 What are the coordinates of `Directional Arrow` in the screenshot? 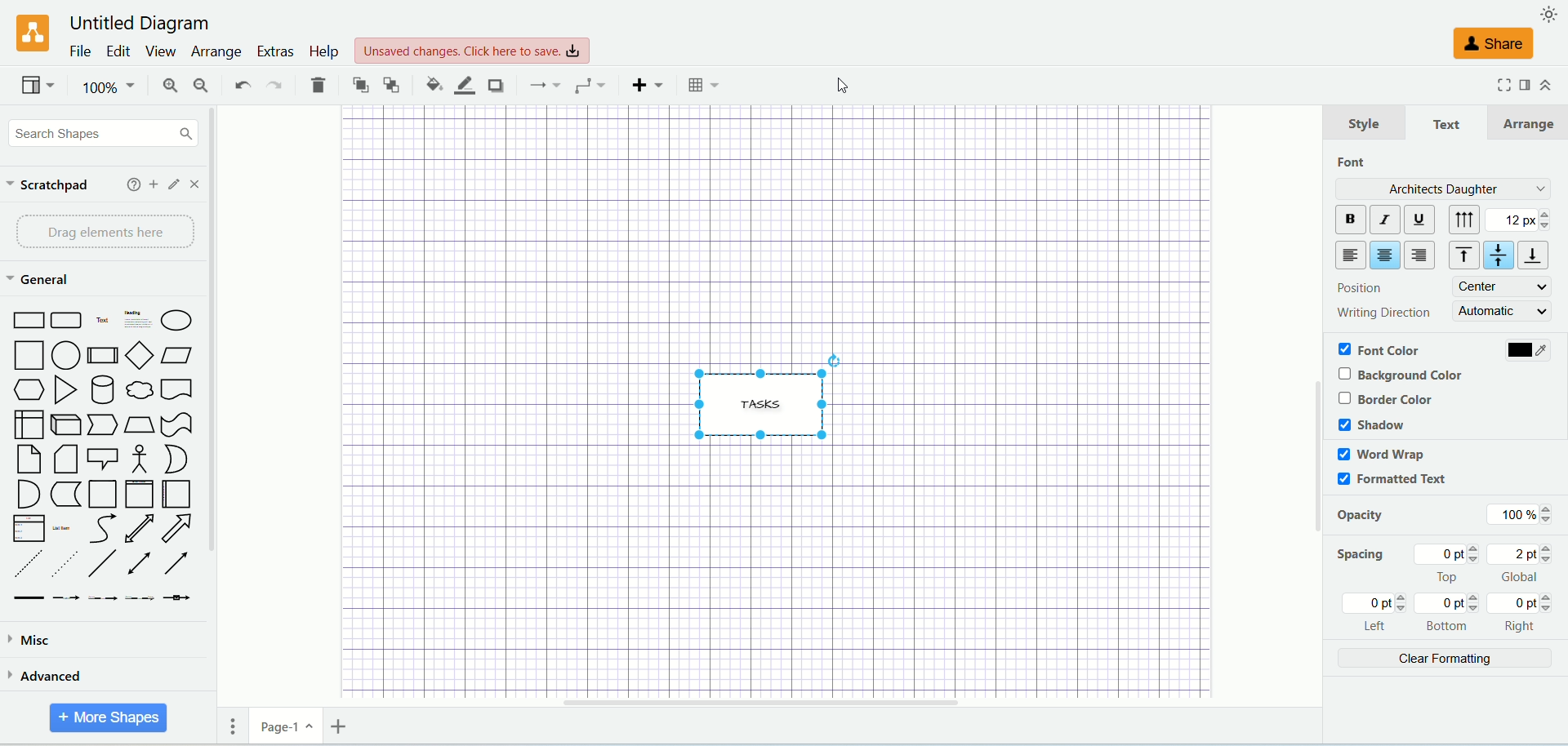 It's located at (180, 562).